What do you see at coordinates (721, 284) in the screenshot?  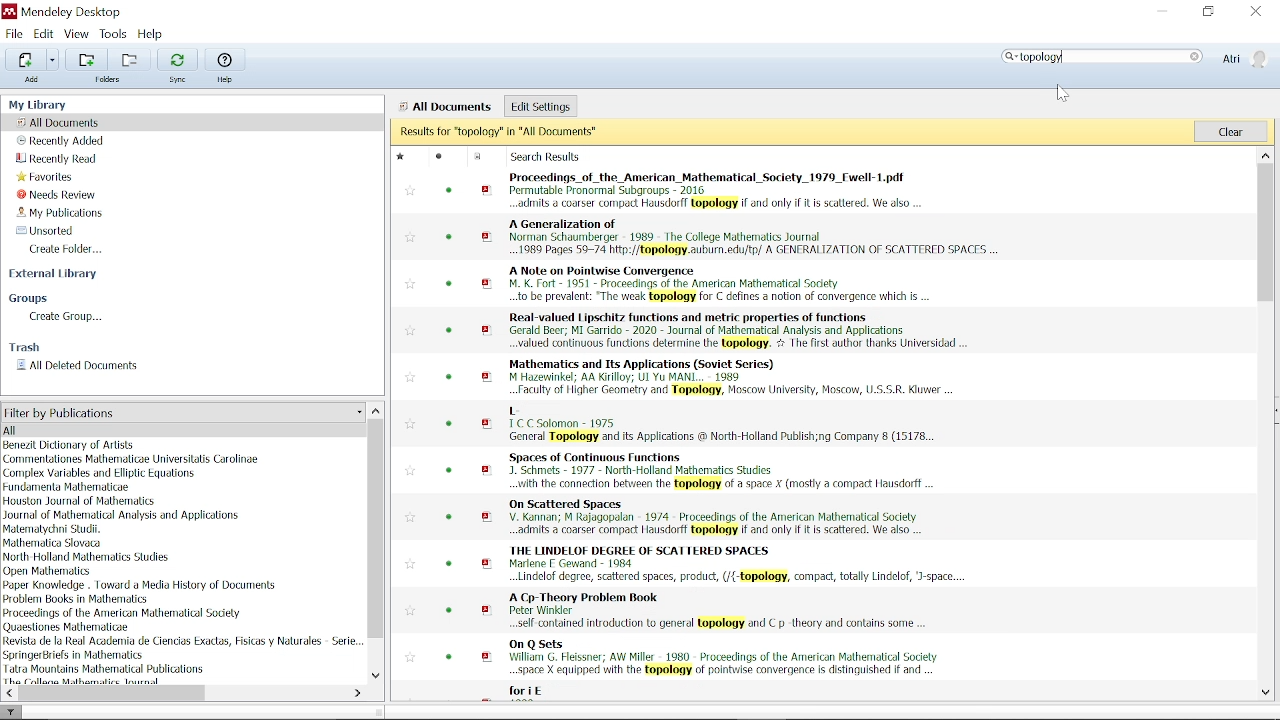 I see `citation` at bounding box center [721, 284].